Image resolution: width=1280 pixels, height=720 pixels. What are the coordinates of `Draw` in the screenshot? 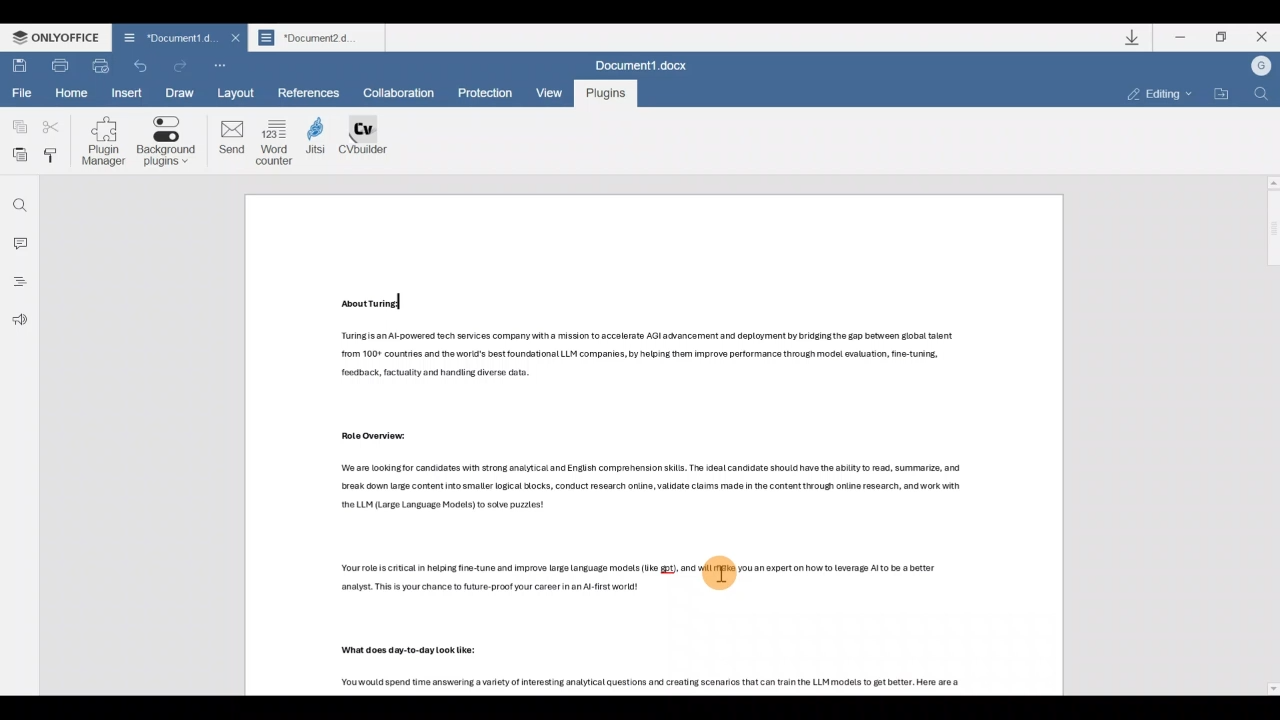 It's located at (179, 90).